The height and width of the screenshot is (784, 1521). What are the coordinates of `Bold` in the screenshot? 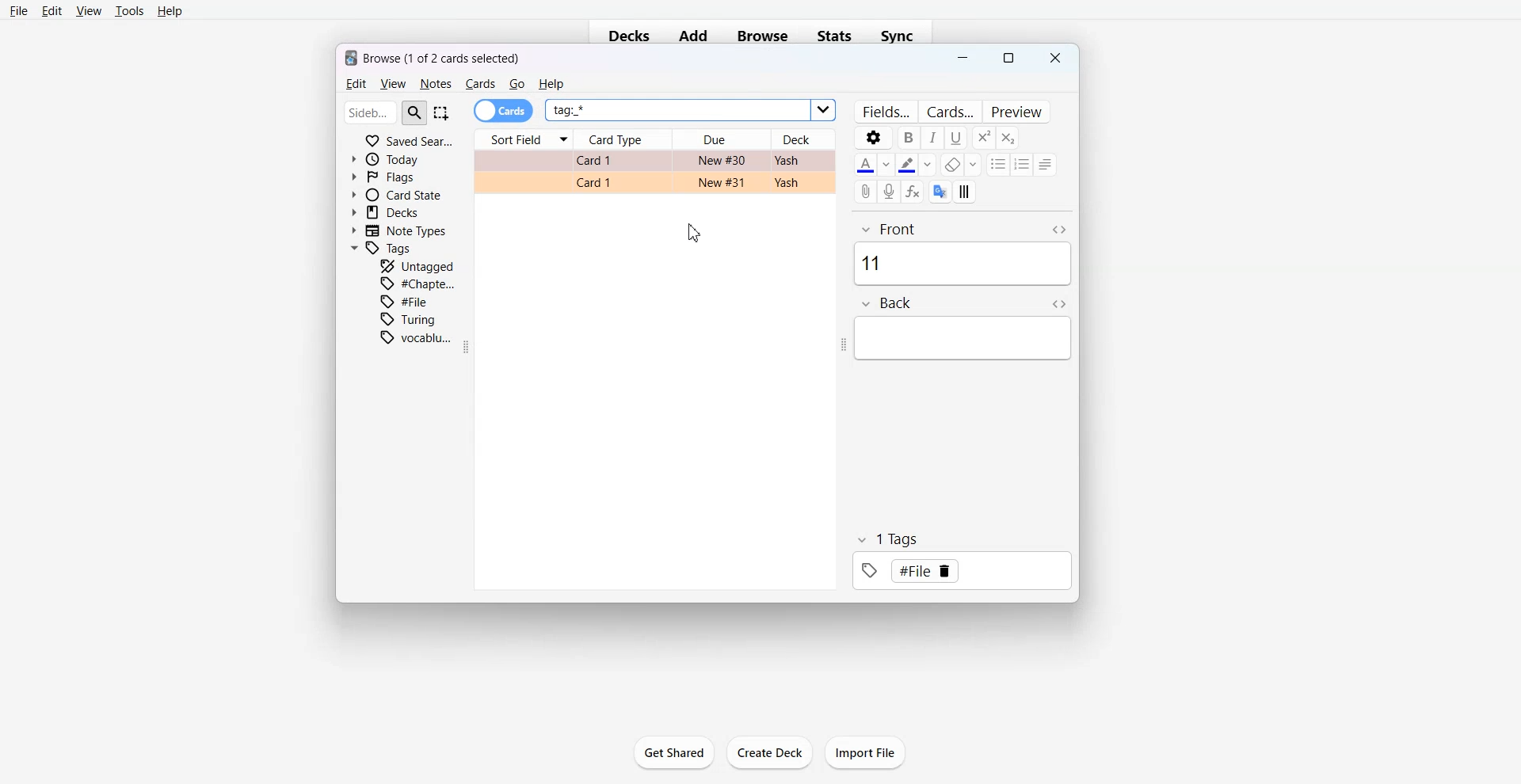 It's located at (909, 137).